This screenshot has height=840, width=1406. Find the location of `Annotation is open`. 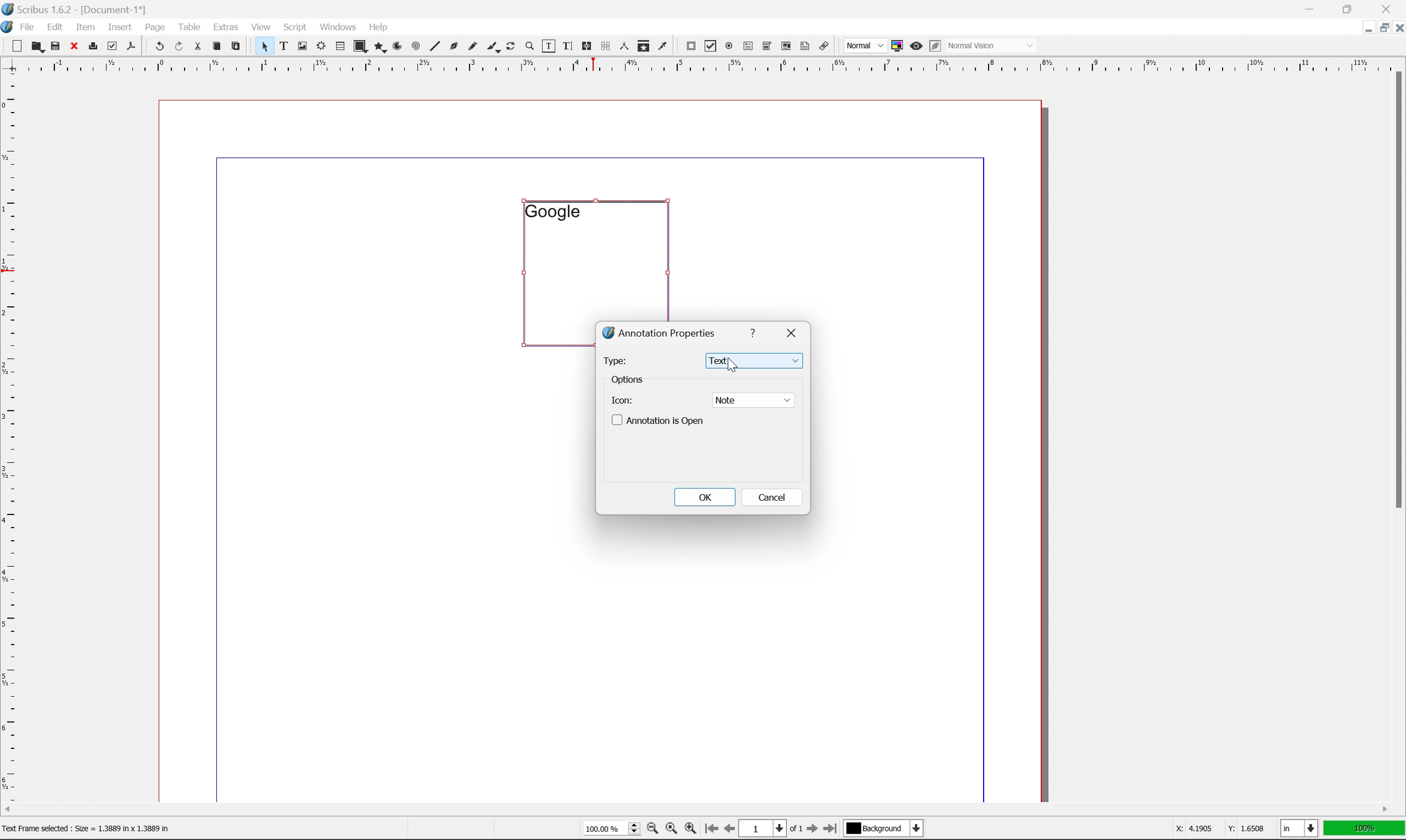

Annotation is open is located at coordinates (659, 421).